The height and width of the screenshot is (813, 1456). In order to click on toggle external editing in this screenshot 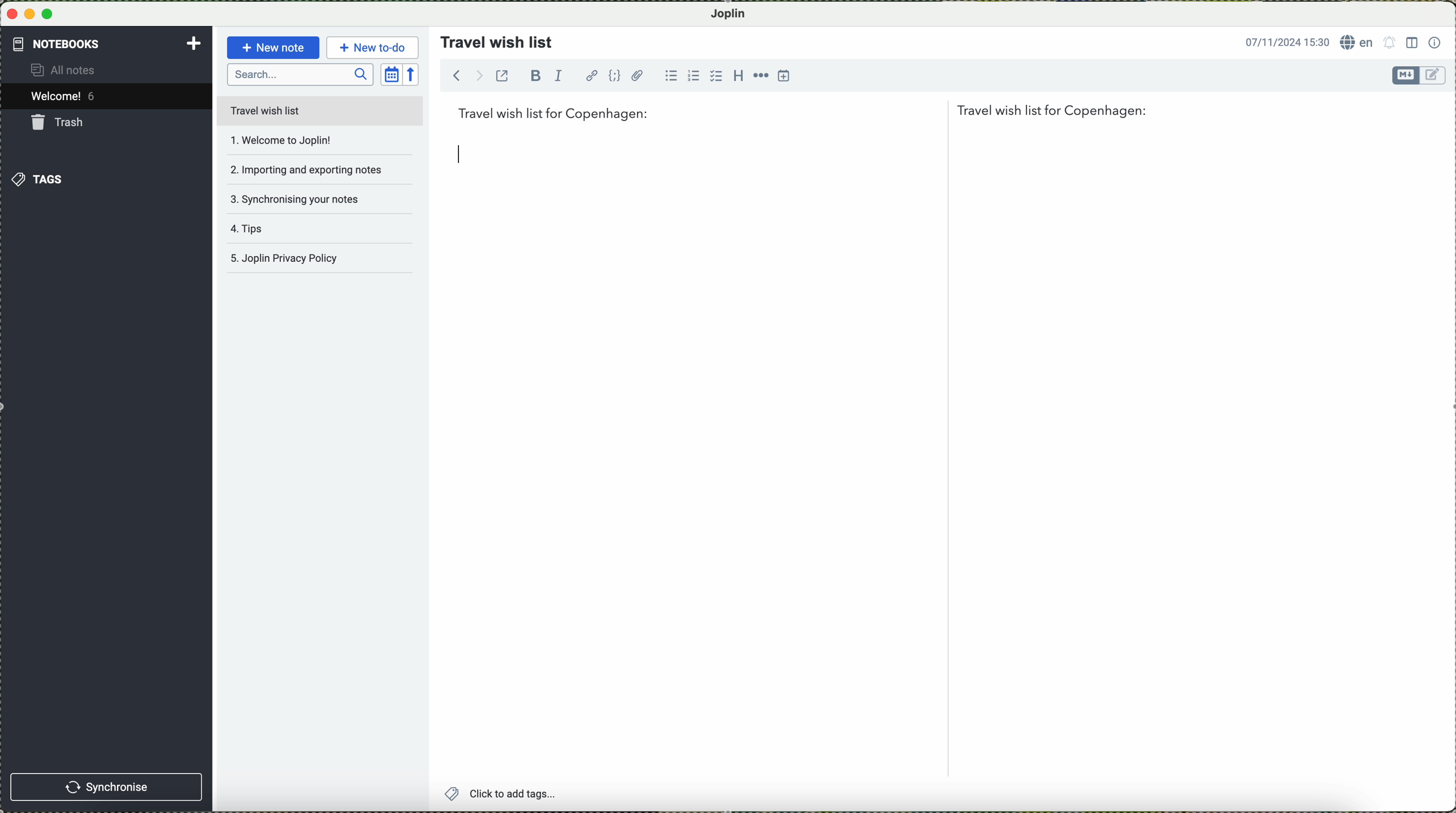, I will do `click(505, 80)`.